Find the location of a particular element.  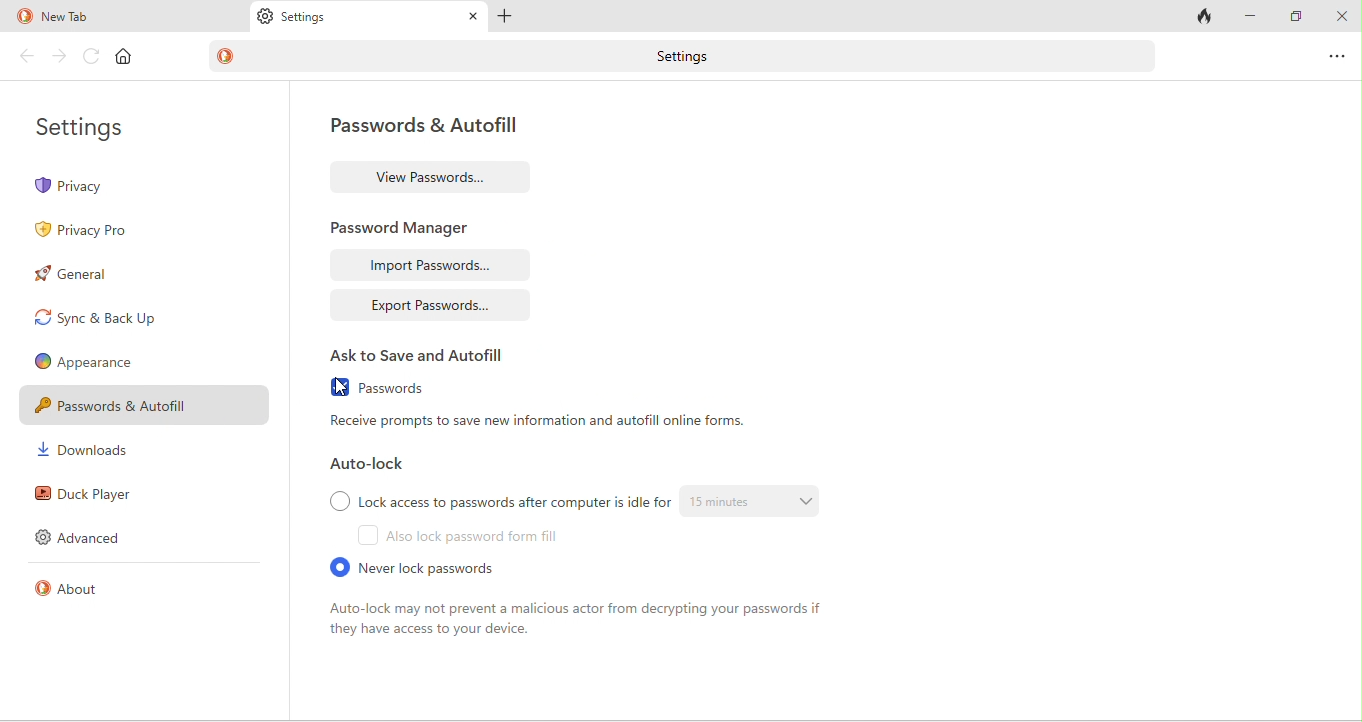

close is located at coordinates (1344, 15).